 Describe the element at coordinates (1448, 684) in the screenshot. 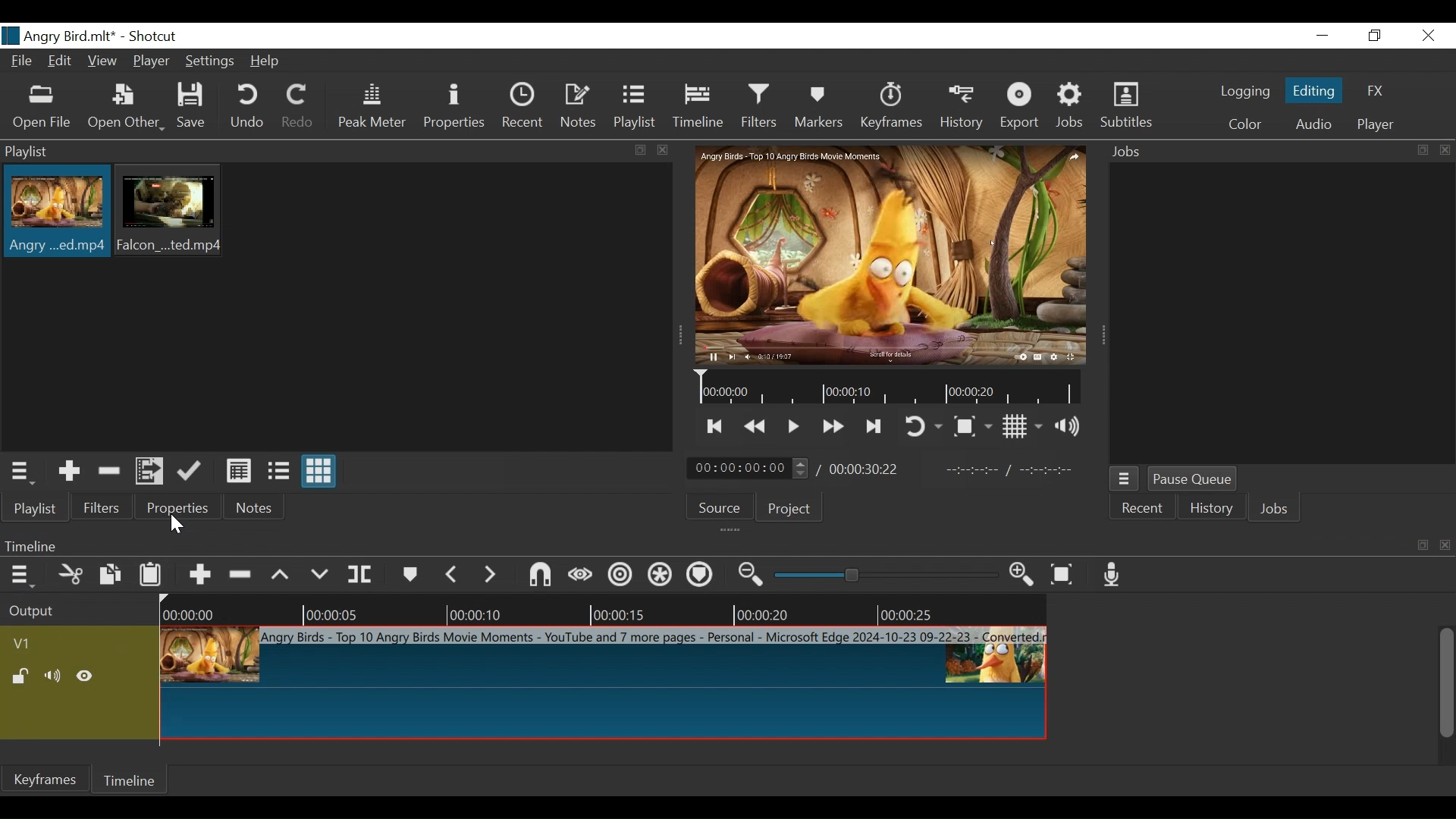

I see `Vertical Scroll bar` at that location.